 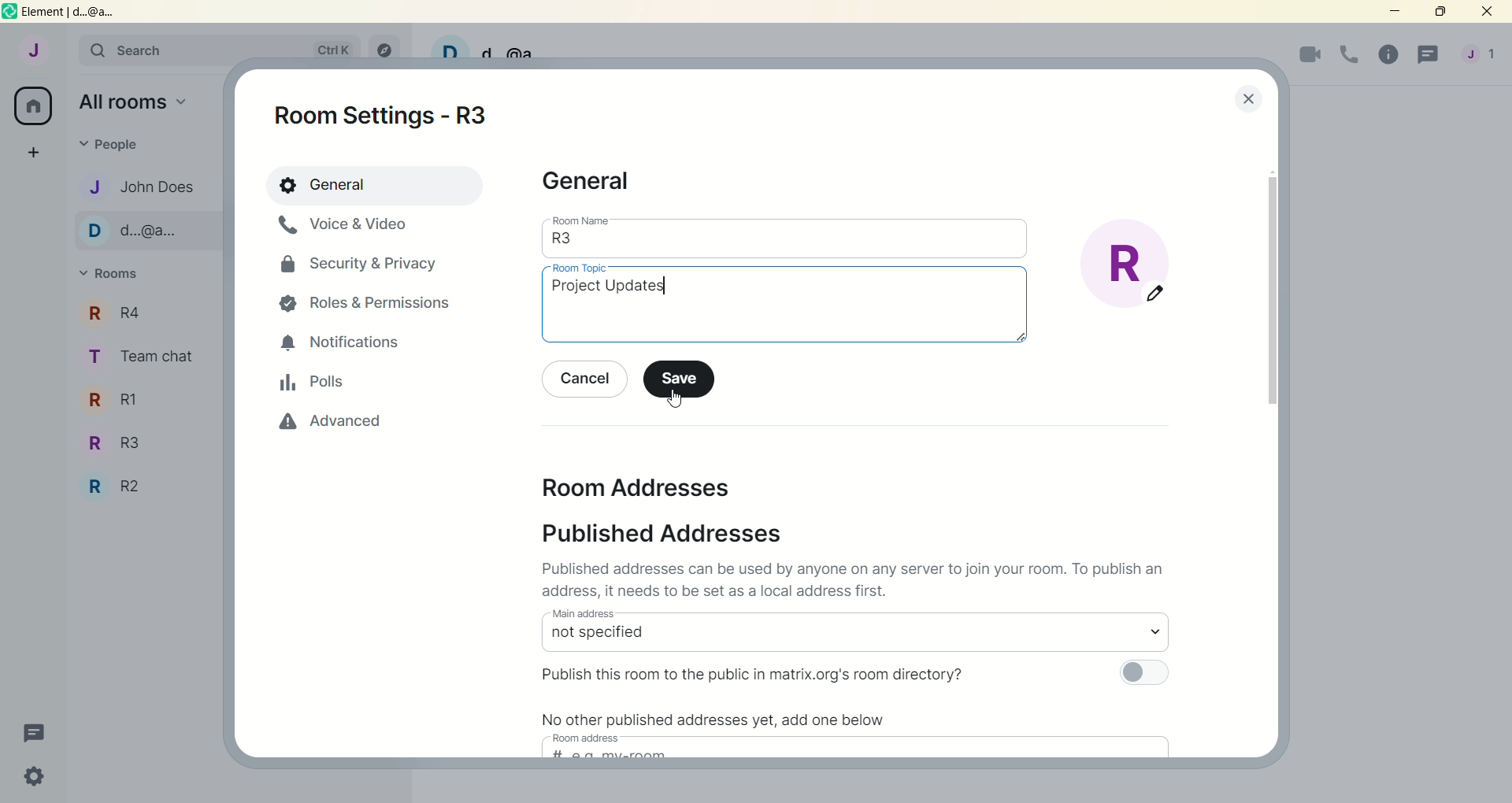 I want to click on logo, so click(x=10, y=12).